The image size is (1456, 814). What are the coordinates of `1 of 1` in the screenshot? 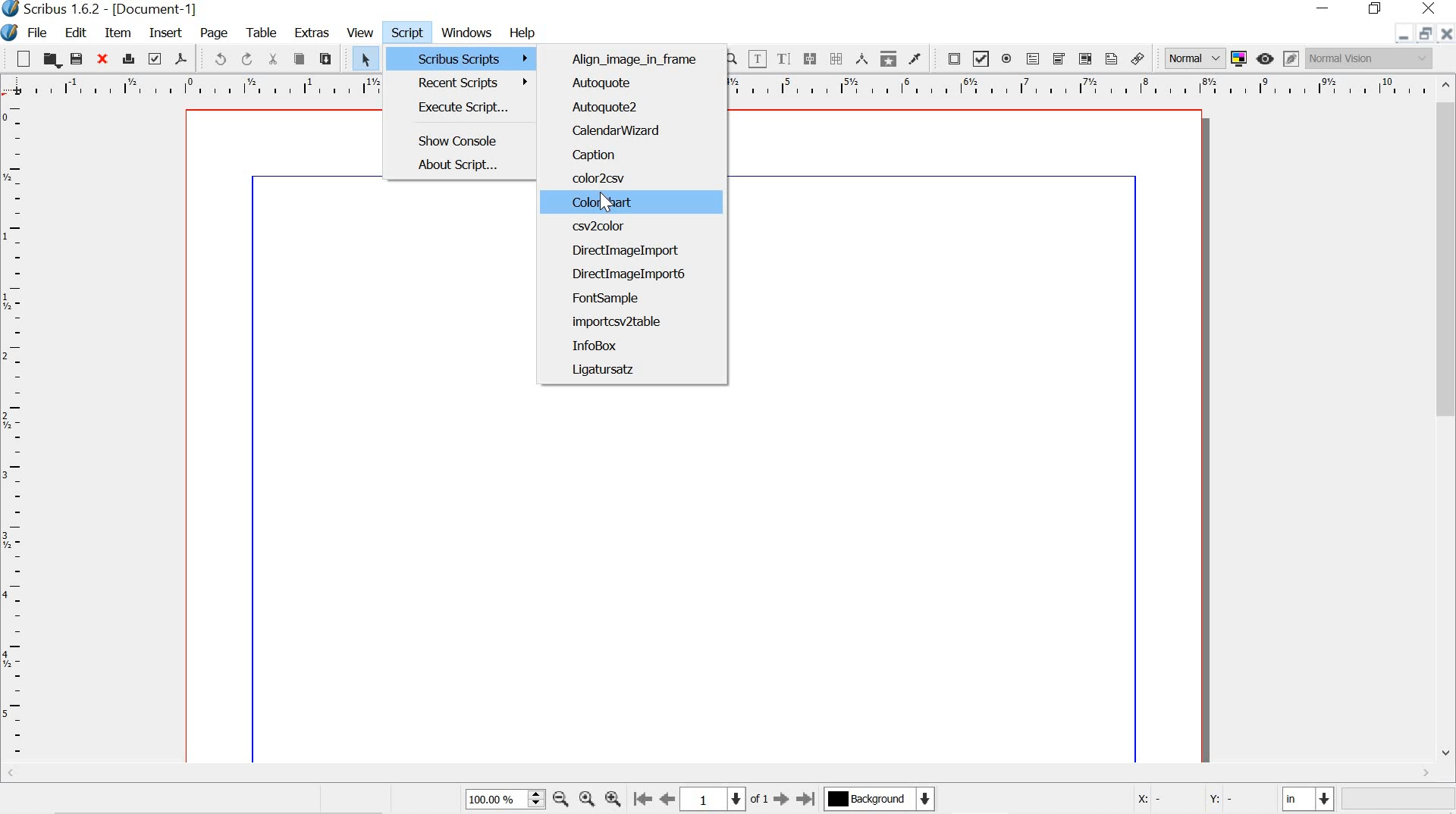 It's located at (724, 798).